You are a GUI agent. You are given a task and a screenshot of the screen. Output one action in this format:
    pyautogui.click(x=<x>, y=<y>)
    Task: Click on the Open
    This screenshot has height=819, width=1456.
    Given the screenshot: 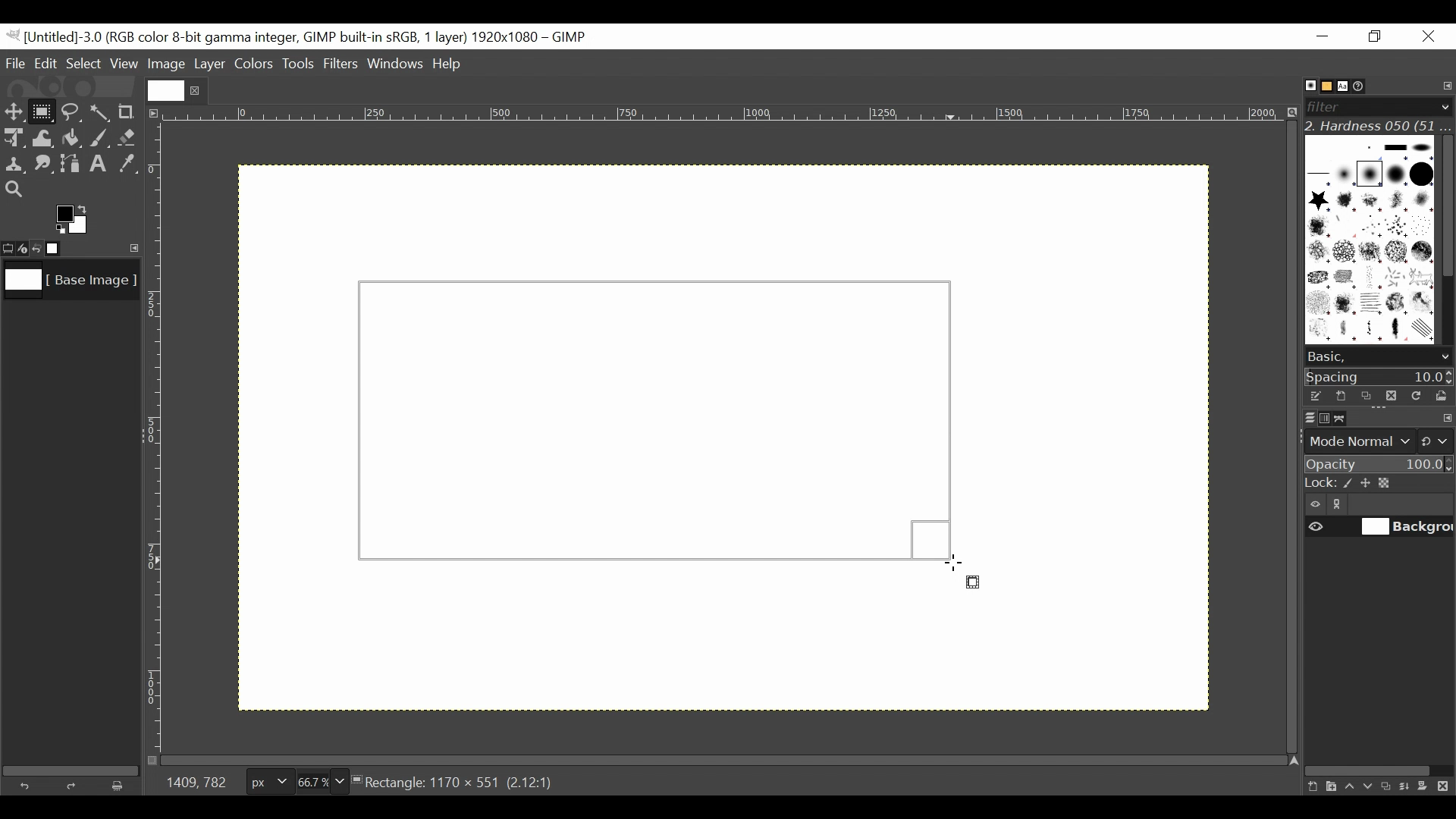 What is the action you would take?
    pyautogui.click(x=1438, y=396)
    